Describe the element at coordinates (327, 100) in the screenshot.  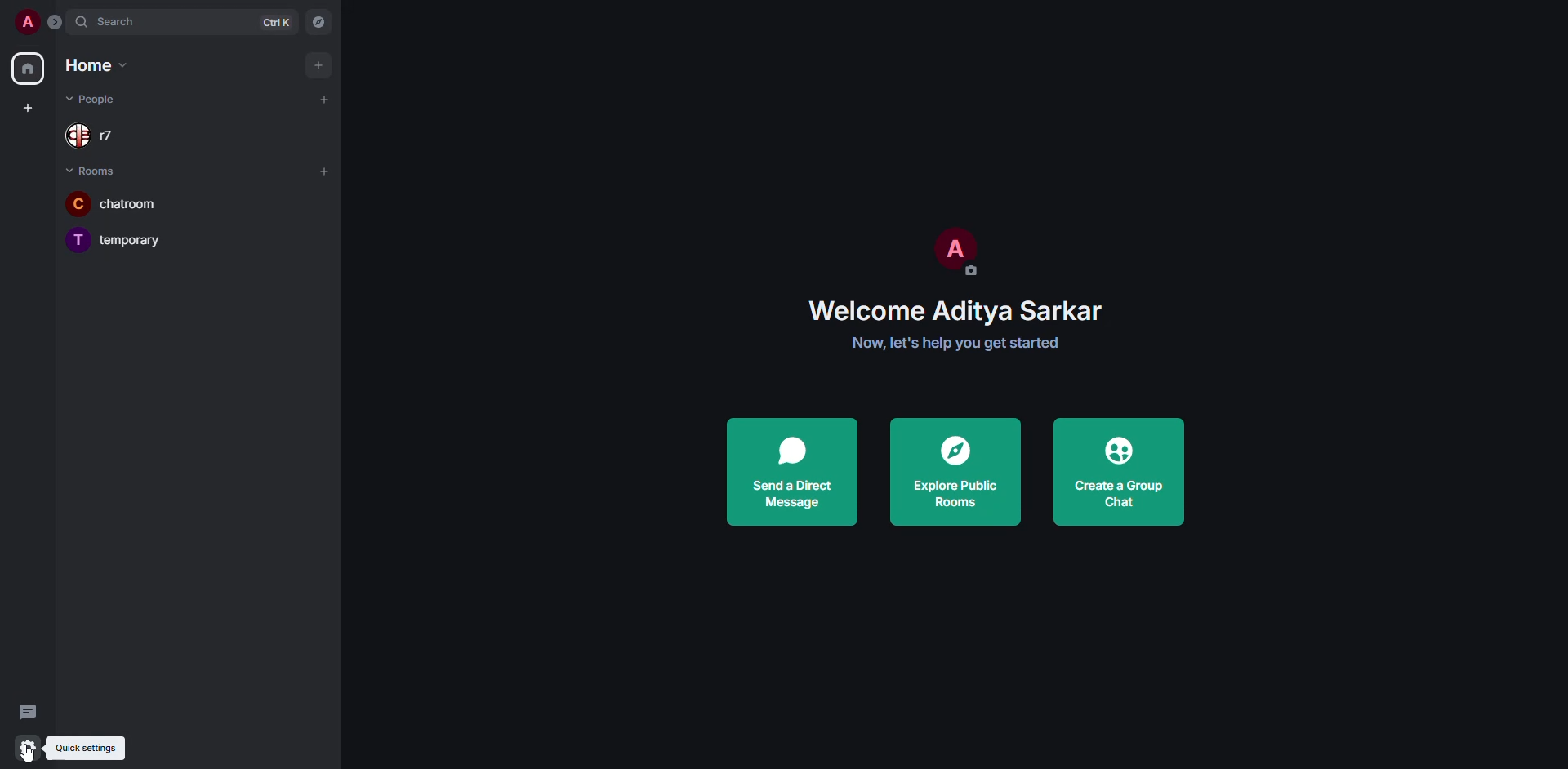
I see `add` at that location.